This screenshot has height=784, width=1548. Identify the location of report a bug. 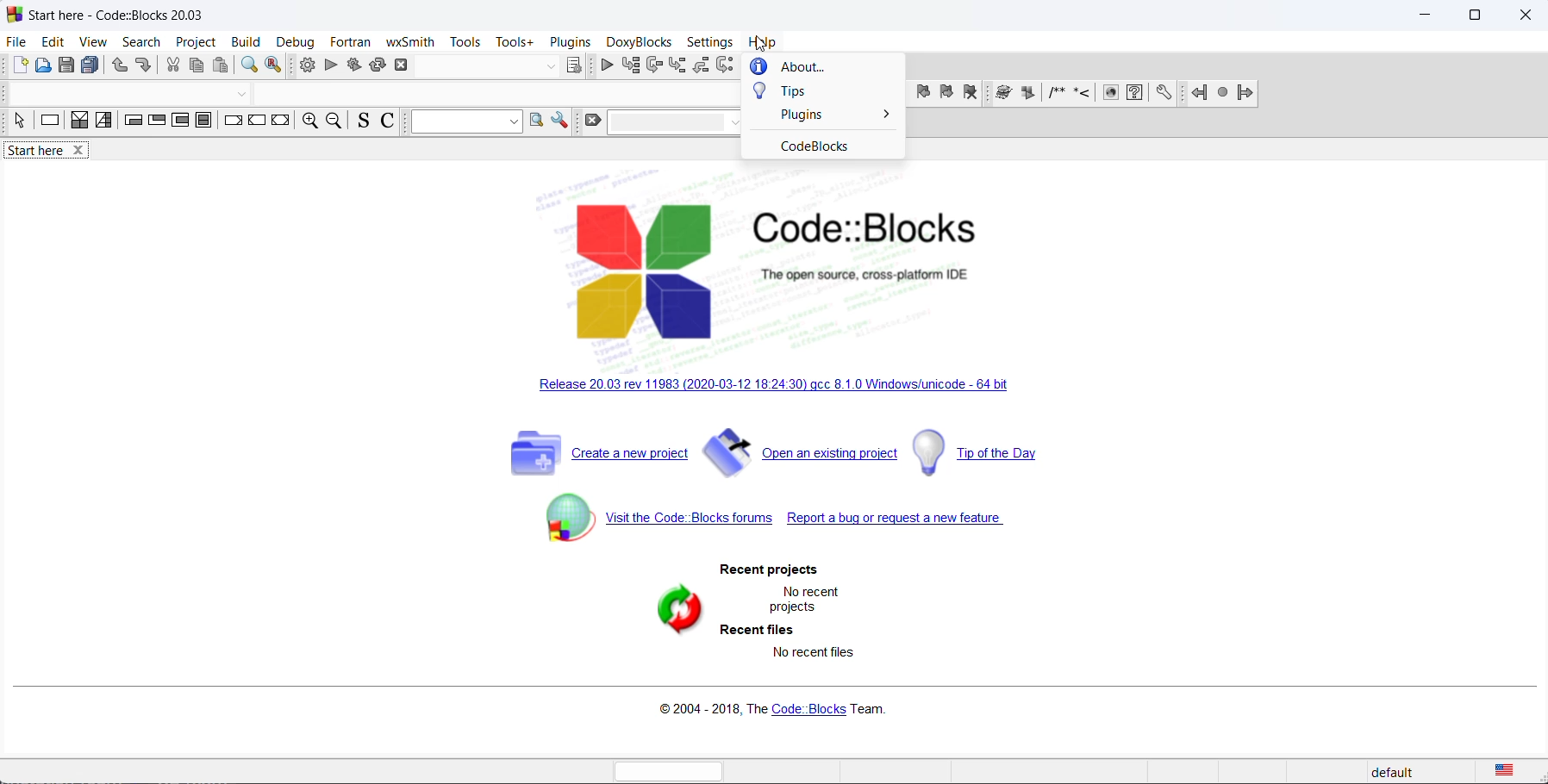
(908, 519).